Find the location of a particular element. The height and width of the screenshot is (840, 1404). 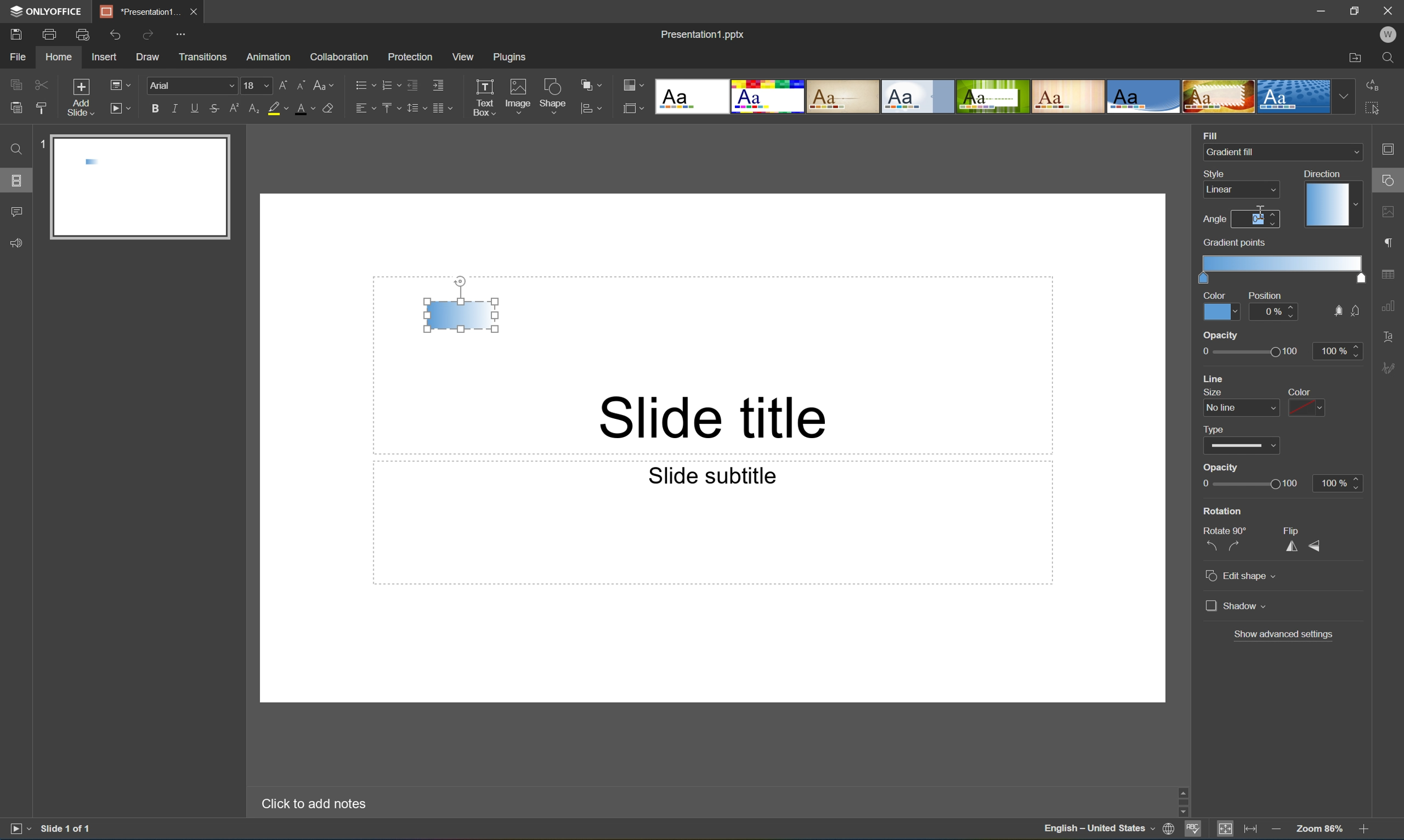

Print preview is located at coordinates (83, 35).